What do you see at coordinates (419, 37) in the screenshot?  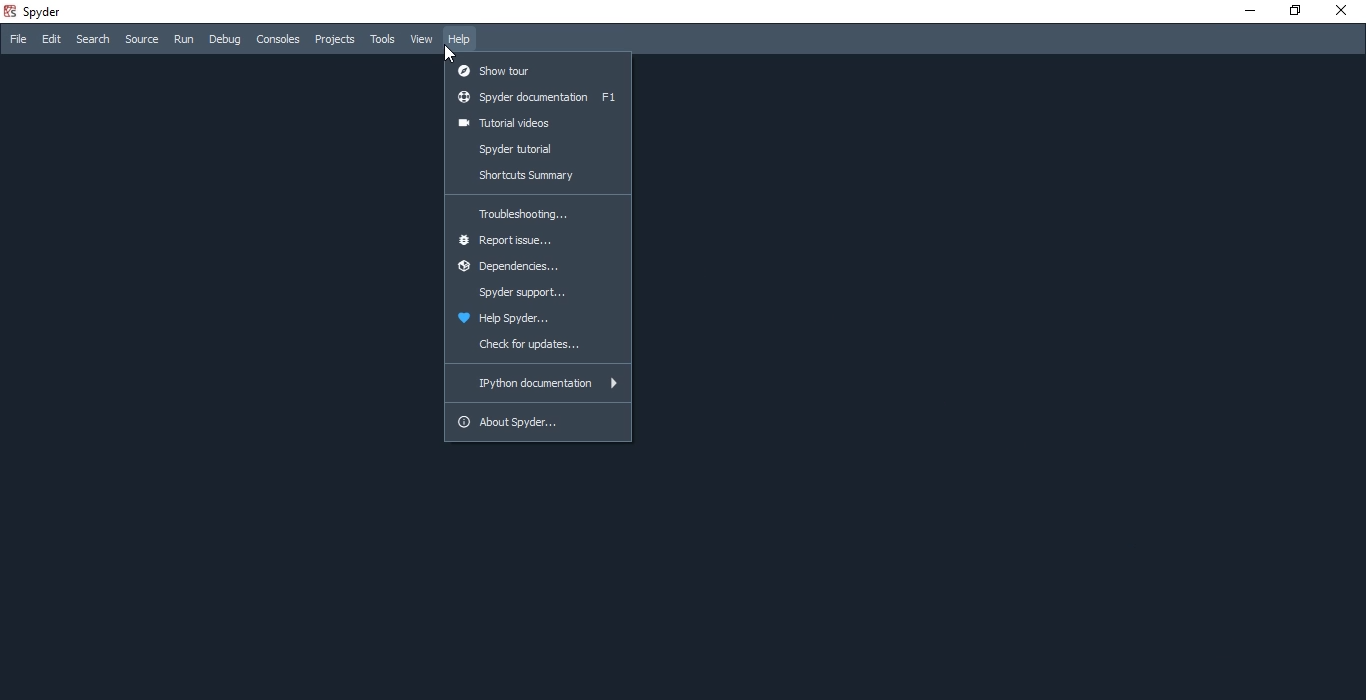 I see `View` at bounding box center [419, 37].